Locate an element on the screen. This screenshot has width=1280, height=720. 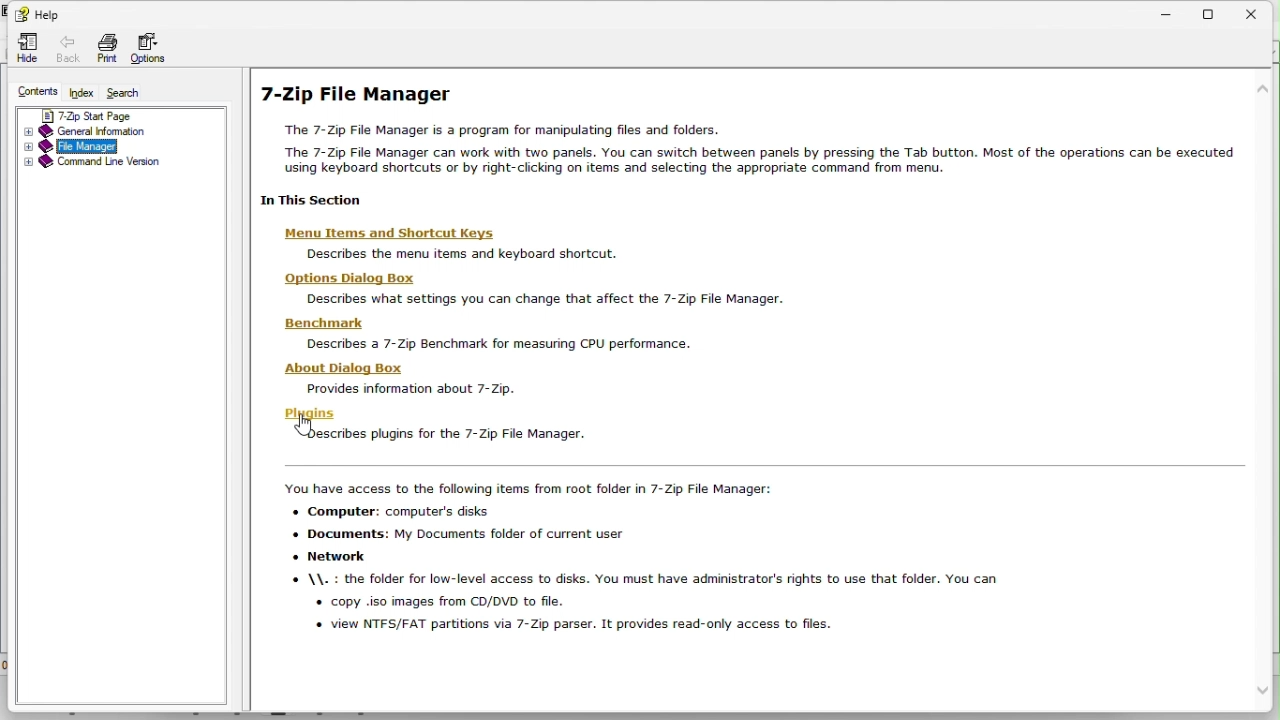
scroll bar is located at coordinates (1265, 394).